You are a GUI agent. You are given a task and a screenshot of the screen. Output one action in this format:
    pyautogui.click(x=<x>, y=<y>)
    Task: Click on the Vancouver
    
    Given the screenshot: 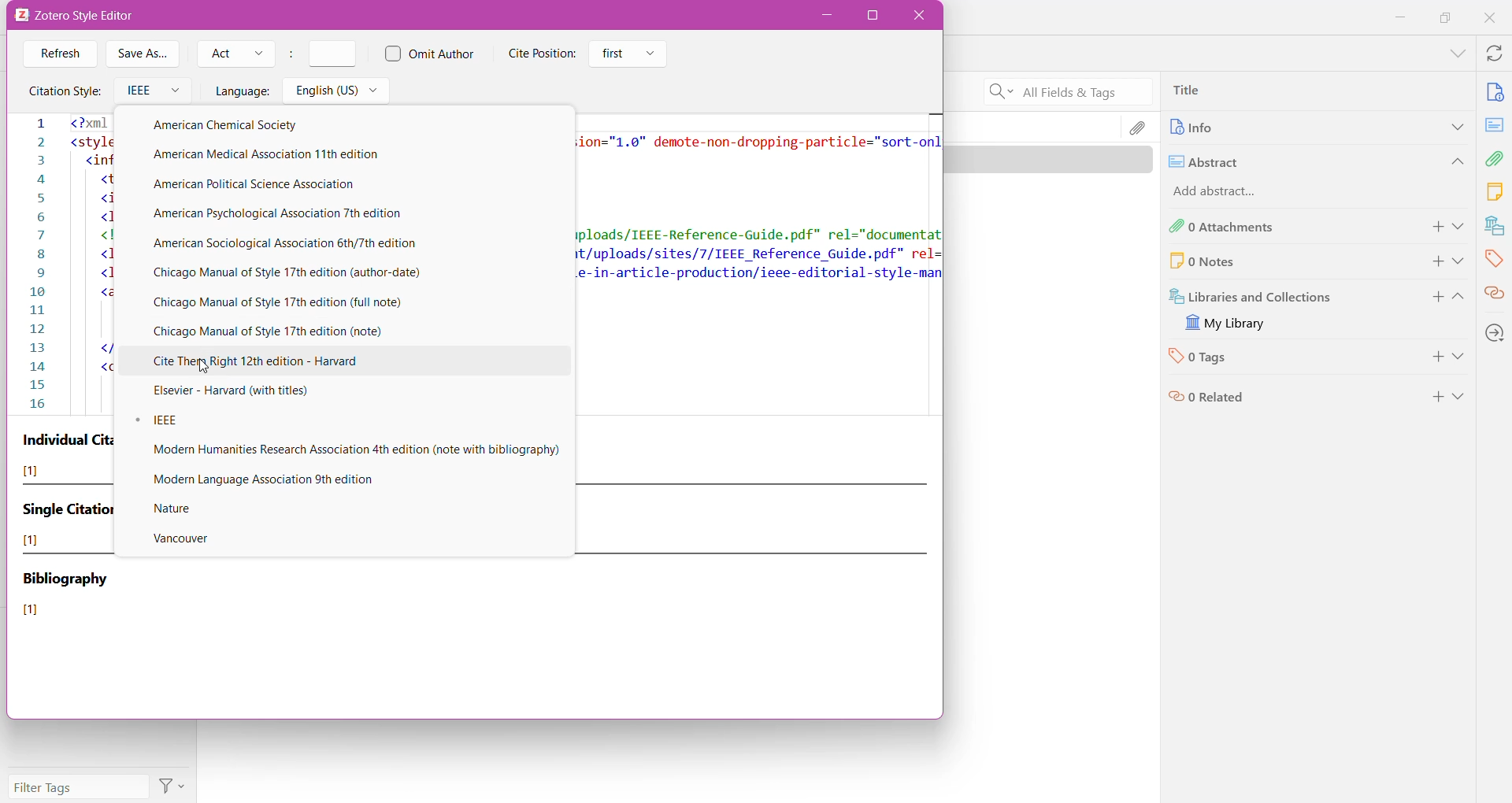 What is the action you would take?
    pyautogui.click(x=191, y=540)
    